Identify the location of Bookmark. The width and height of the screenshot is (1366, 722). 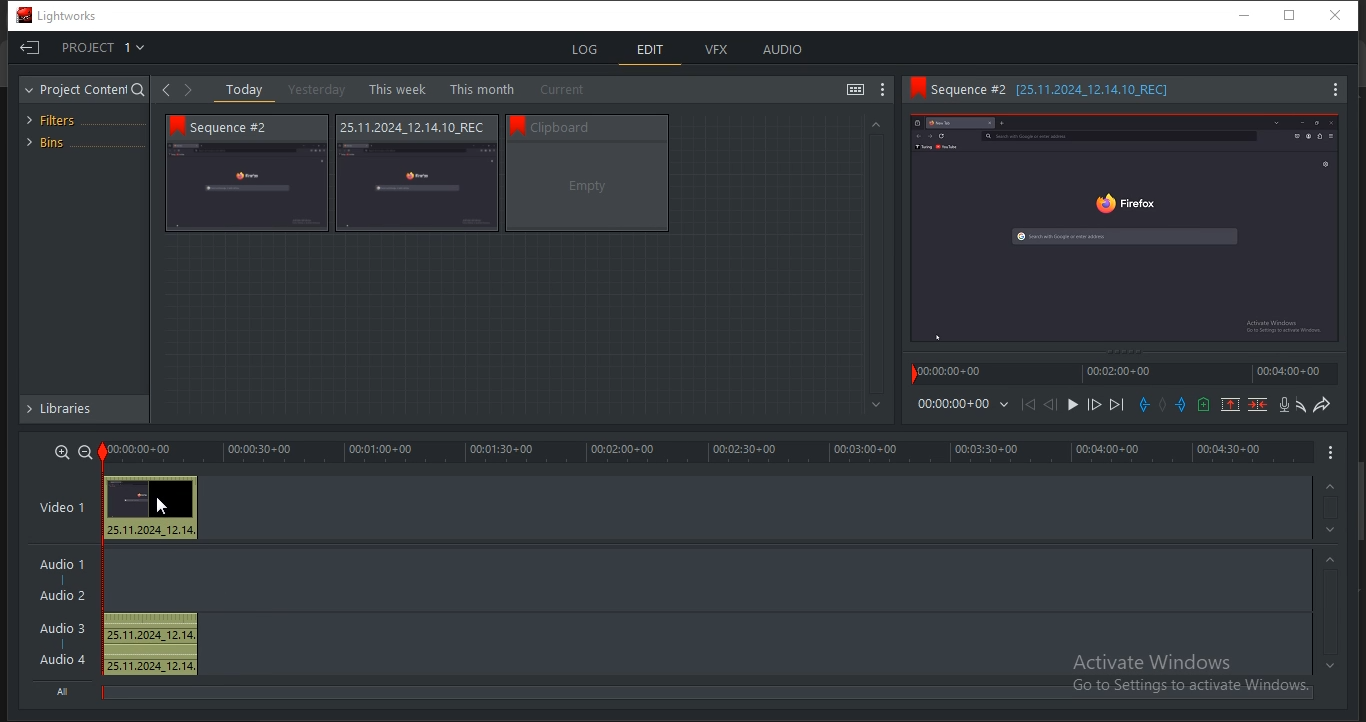
(916, 90).